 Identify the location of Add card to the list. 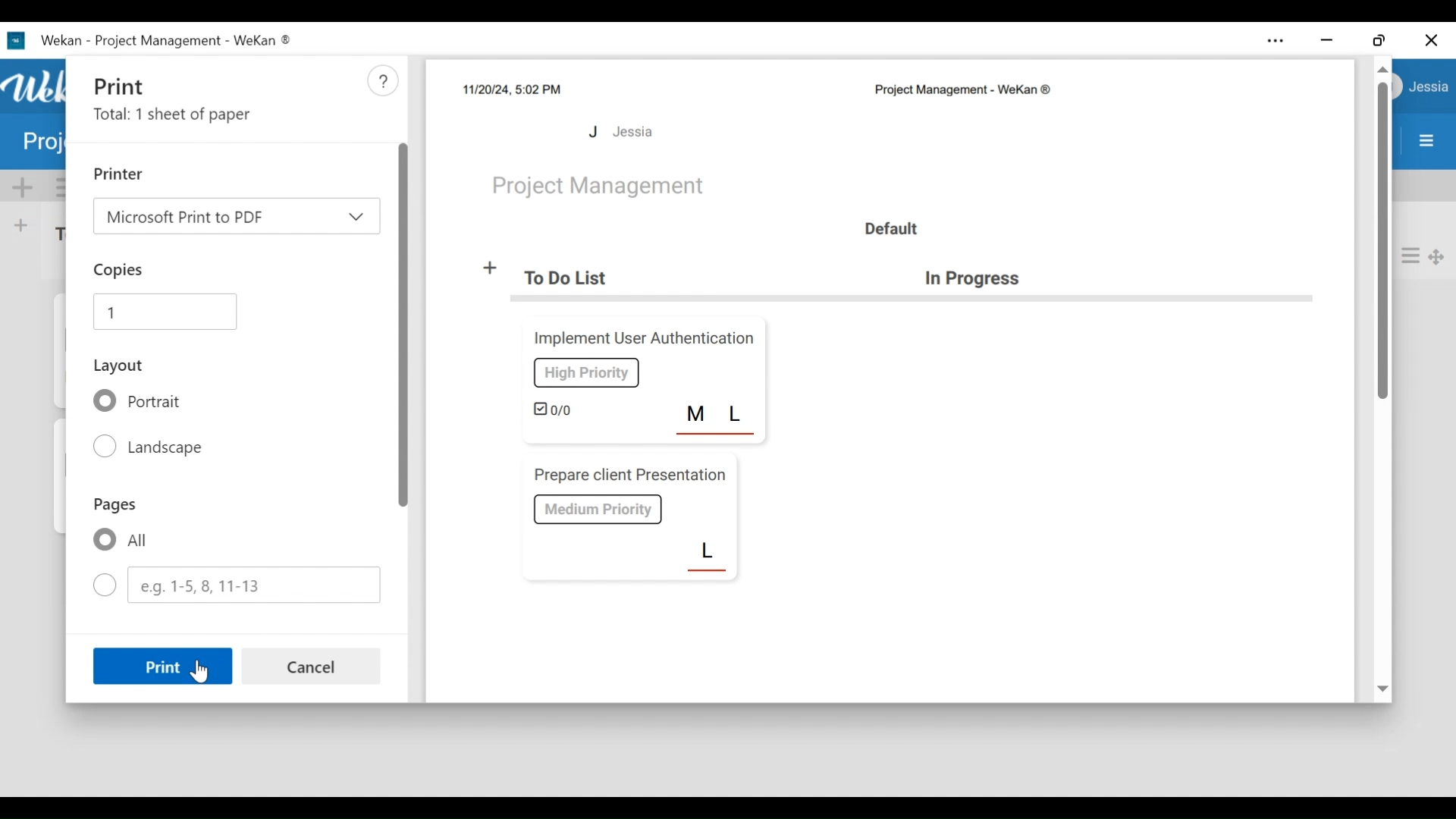
(24, 224).